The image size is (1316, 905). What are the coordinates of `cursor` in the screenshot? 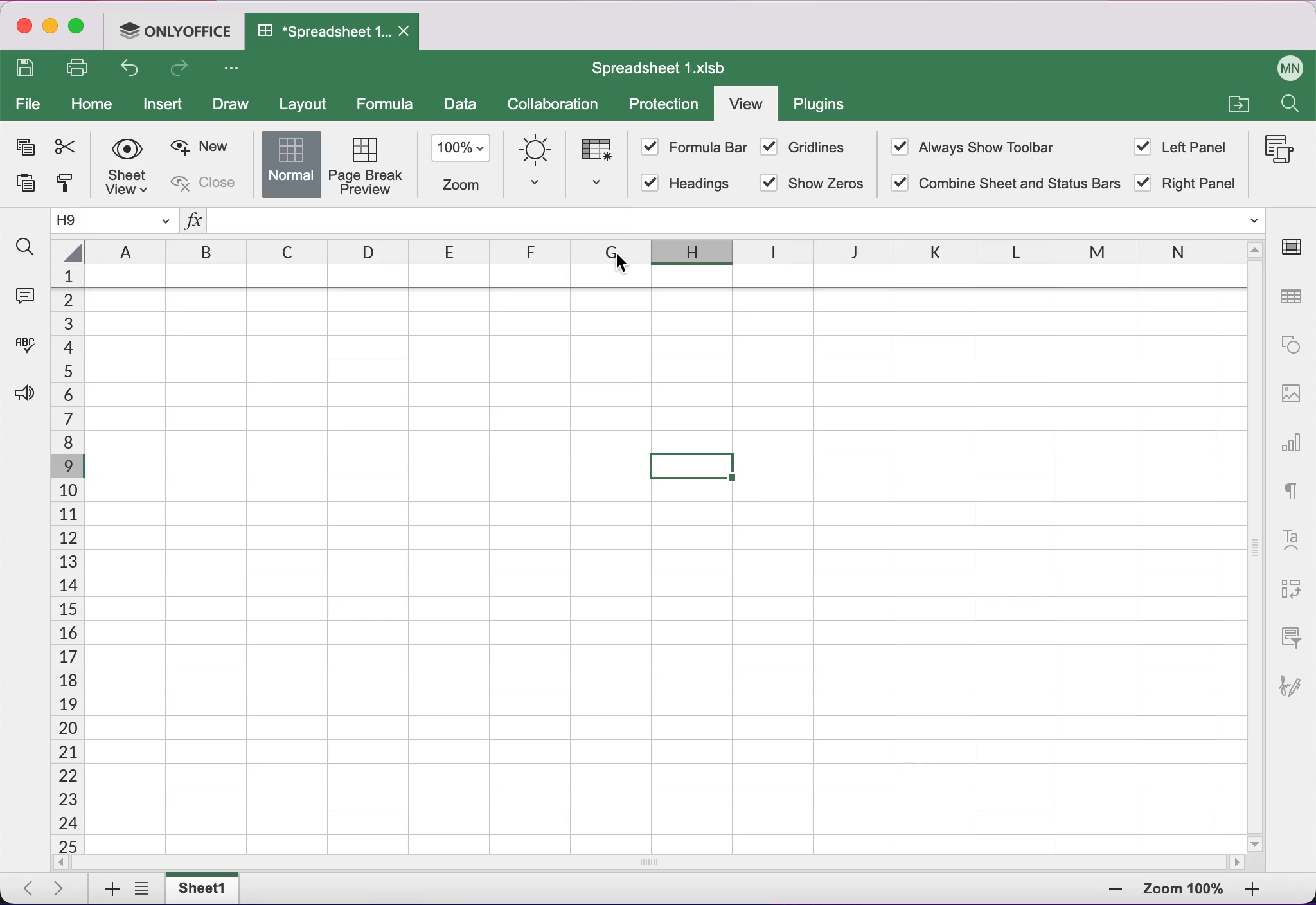 It's located at (624, 265).